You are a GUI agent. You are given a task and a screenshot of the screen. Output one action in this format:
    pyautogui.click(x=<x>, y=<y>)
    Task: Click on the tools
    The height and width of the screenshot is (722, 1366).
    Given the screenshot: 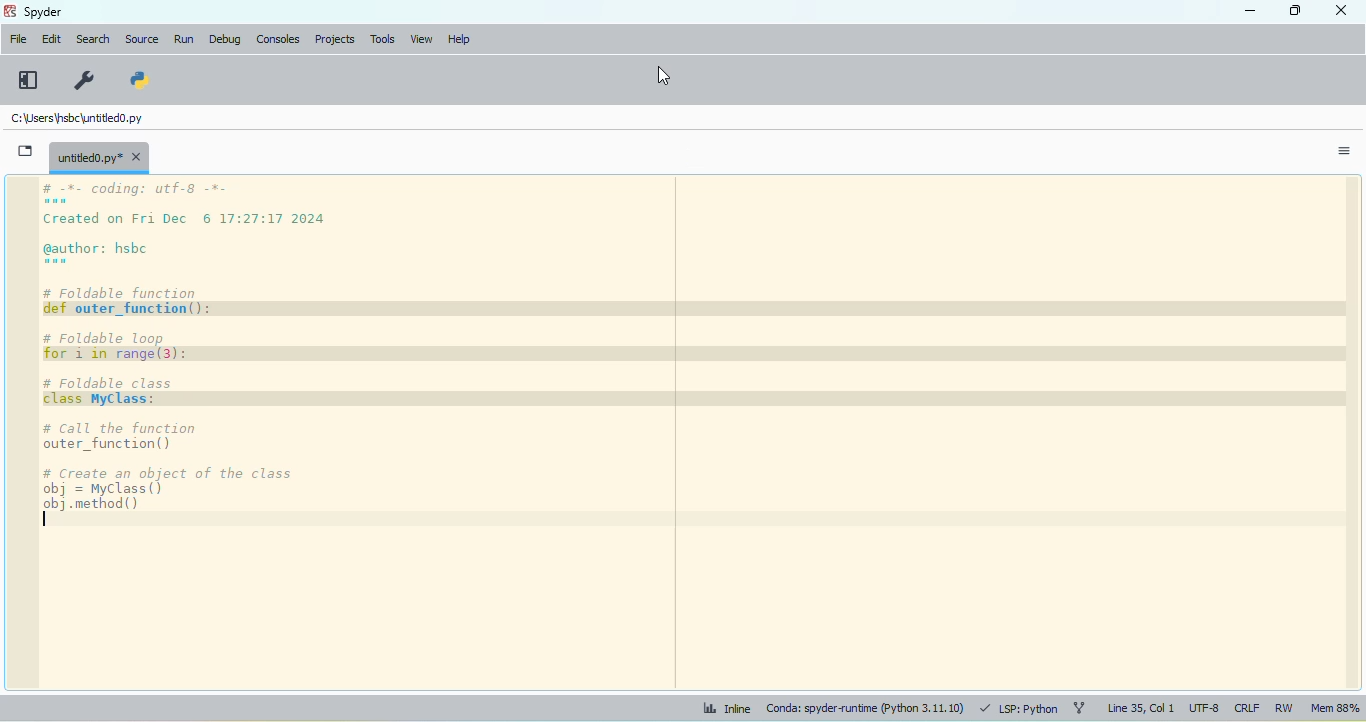 What is the action you would take?
    pyautogui.click(x=382, y=39)
    